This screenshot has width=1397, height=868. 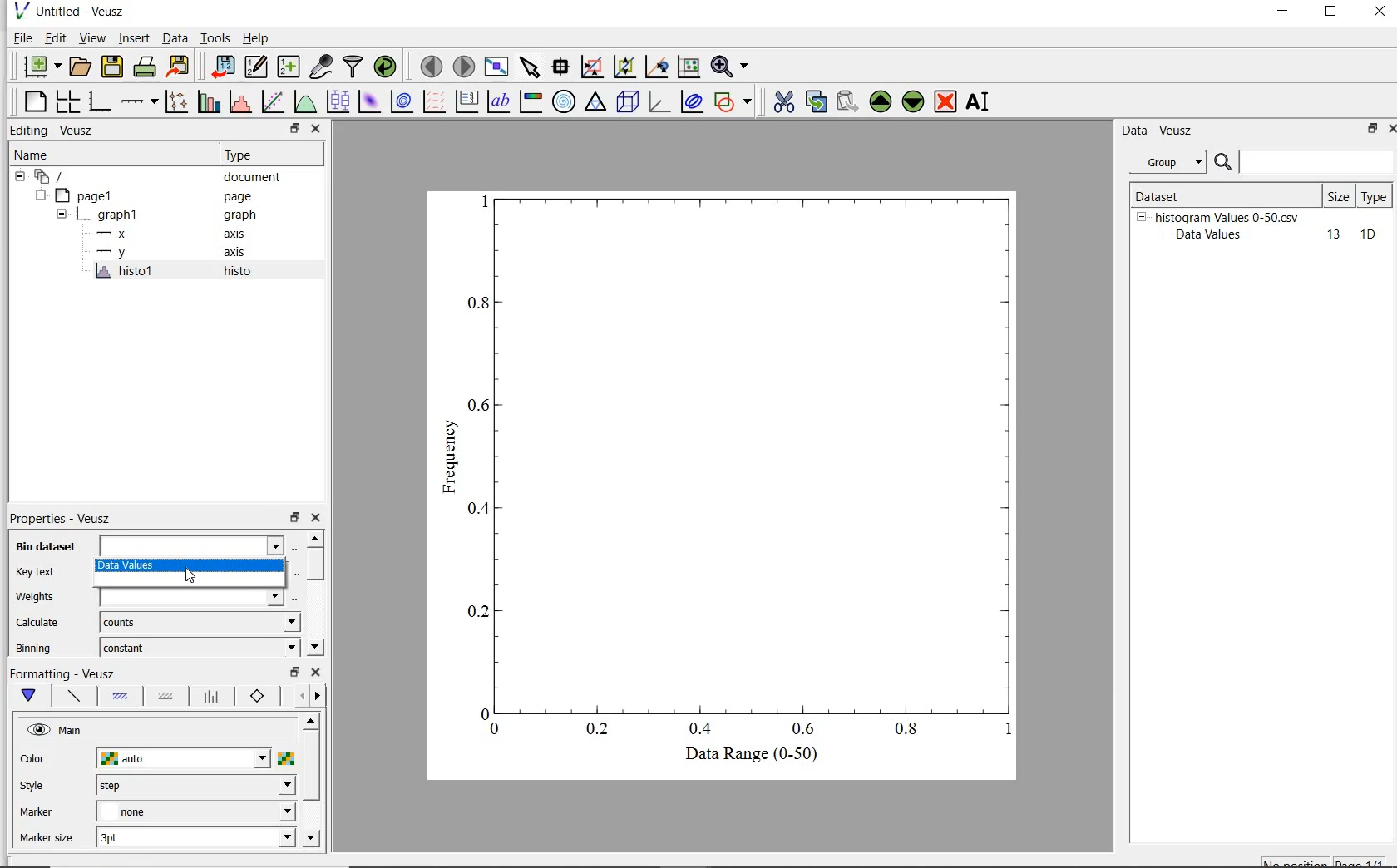 I want to click on |Formatting - Veusz, so click(x=64, y=673).